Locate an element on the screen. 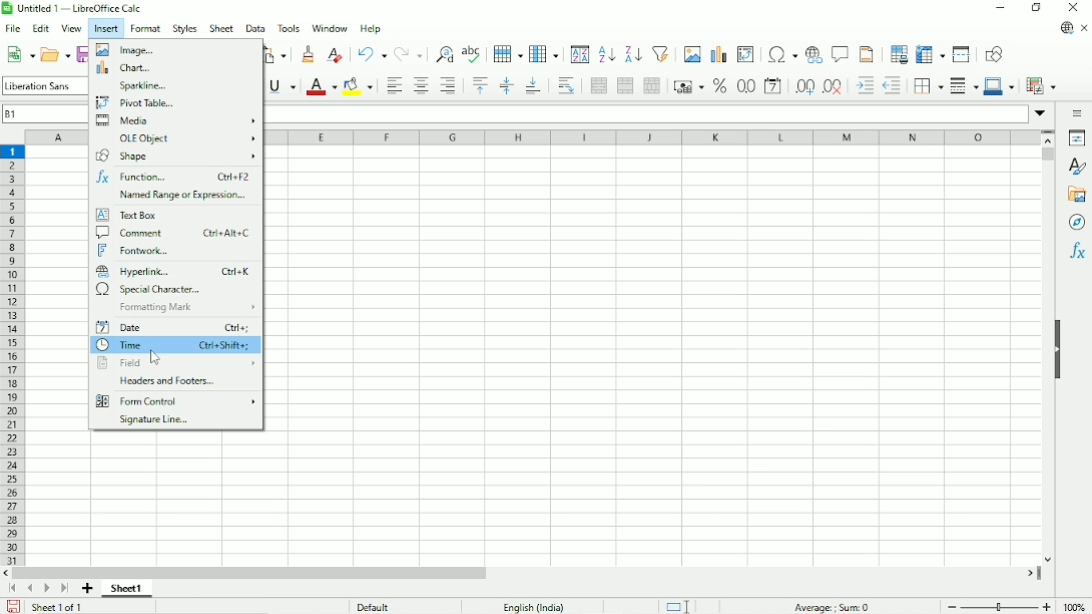 The image size is (1092, 614). Merge and center is located at coordinates (599, 86).